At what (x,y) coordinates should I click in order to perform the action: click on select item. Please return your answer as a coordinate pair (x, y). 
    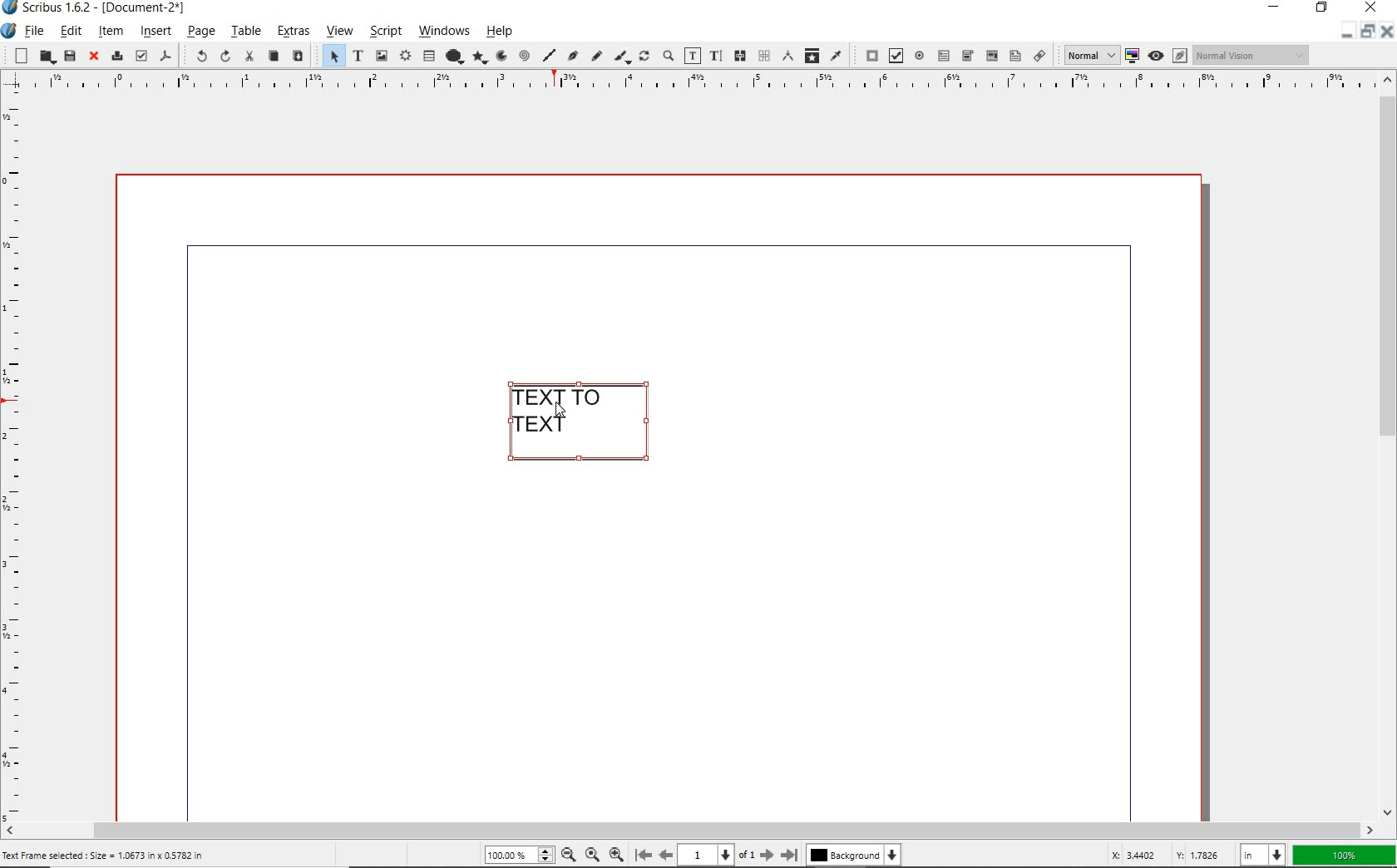
    Looking at the image, I should click on (330, 55).